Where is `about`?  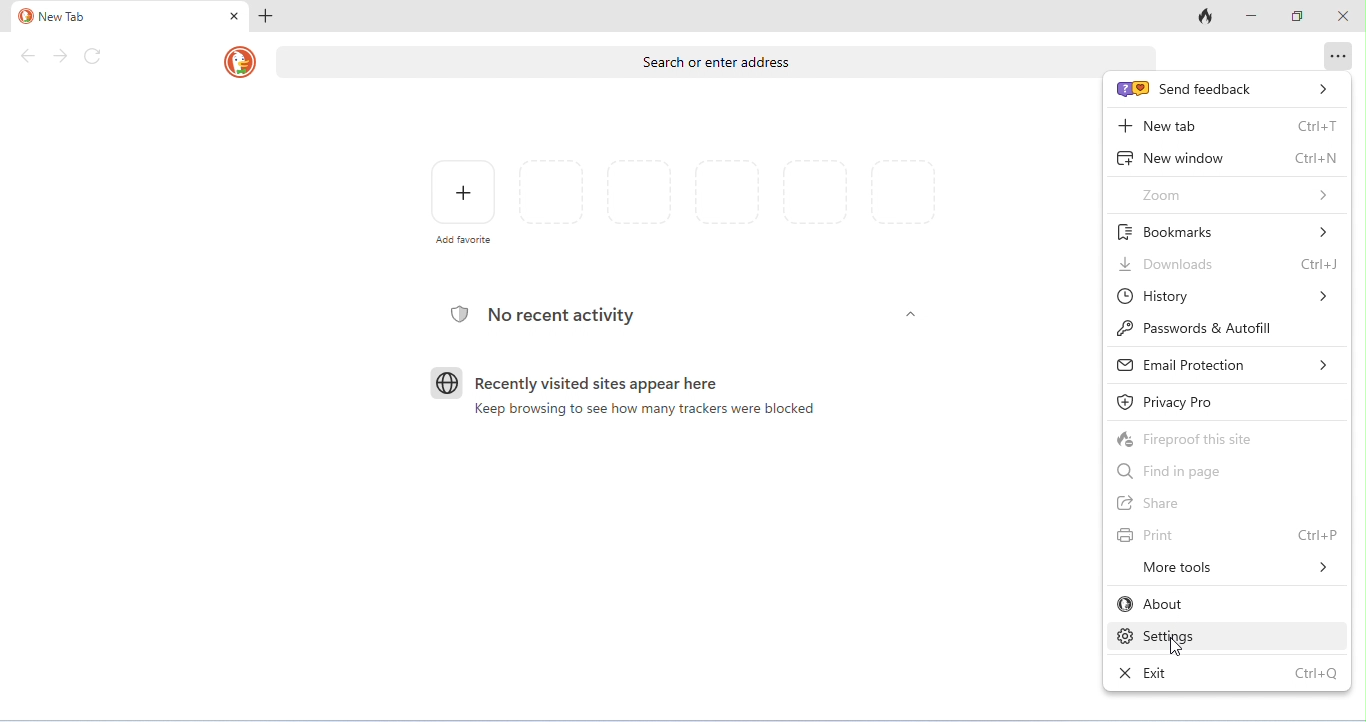 about is located at coordinates (1227, 604).